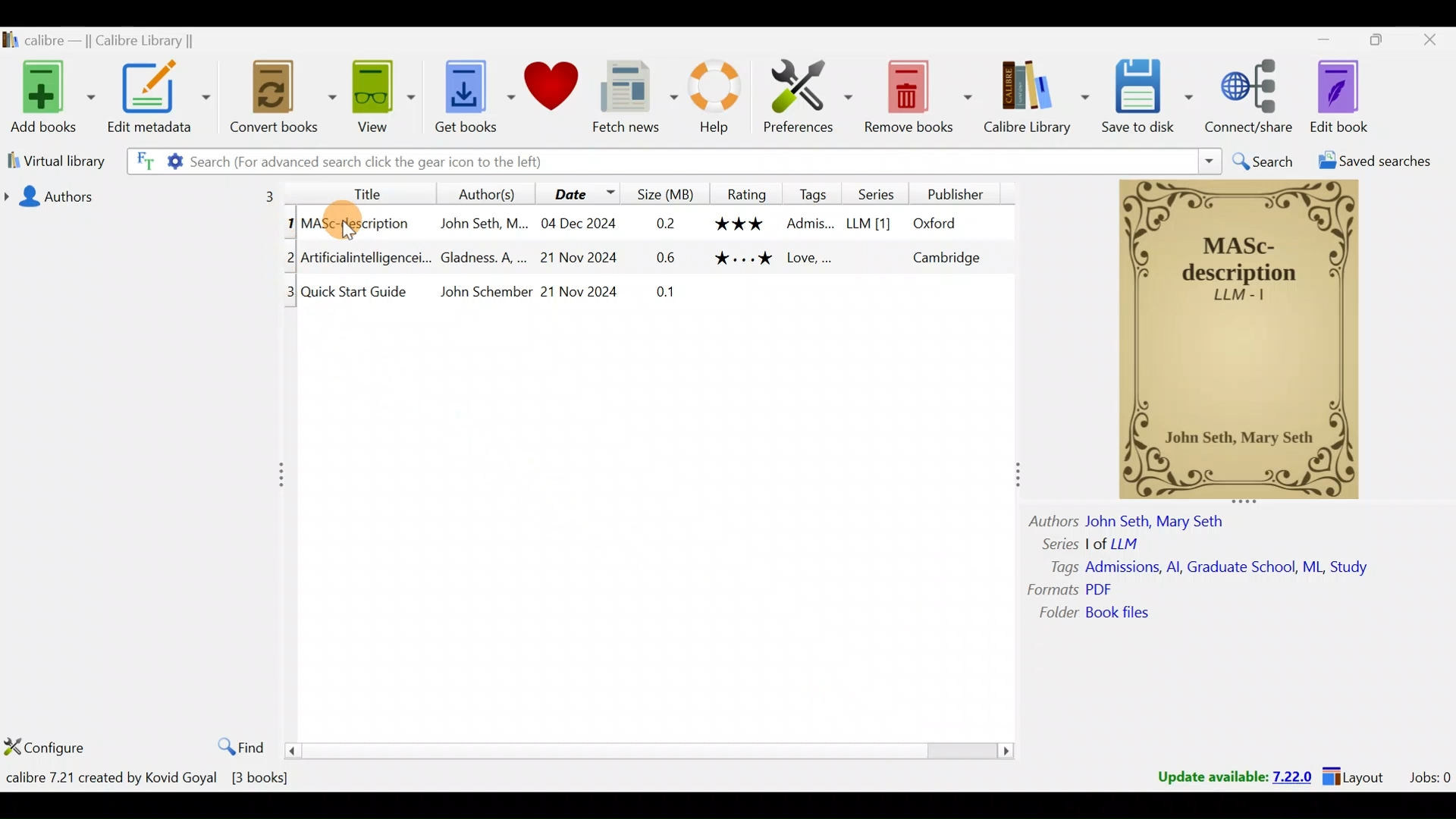 The image size is (1456, 819). What do you see at coordinates (1325, 41) in the screenshot?
I see `Minimise` at bounding box center [1325, 41].